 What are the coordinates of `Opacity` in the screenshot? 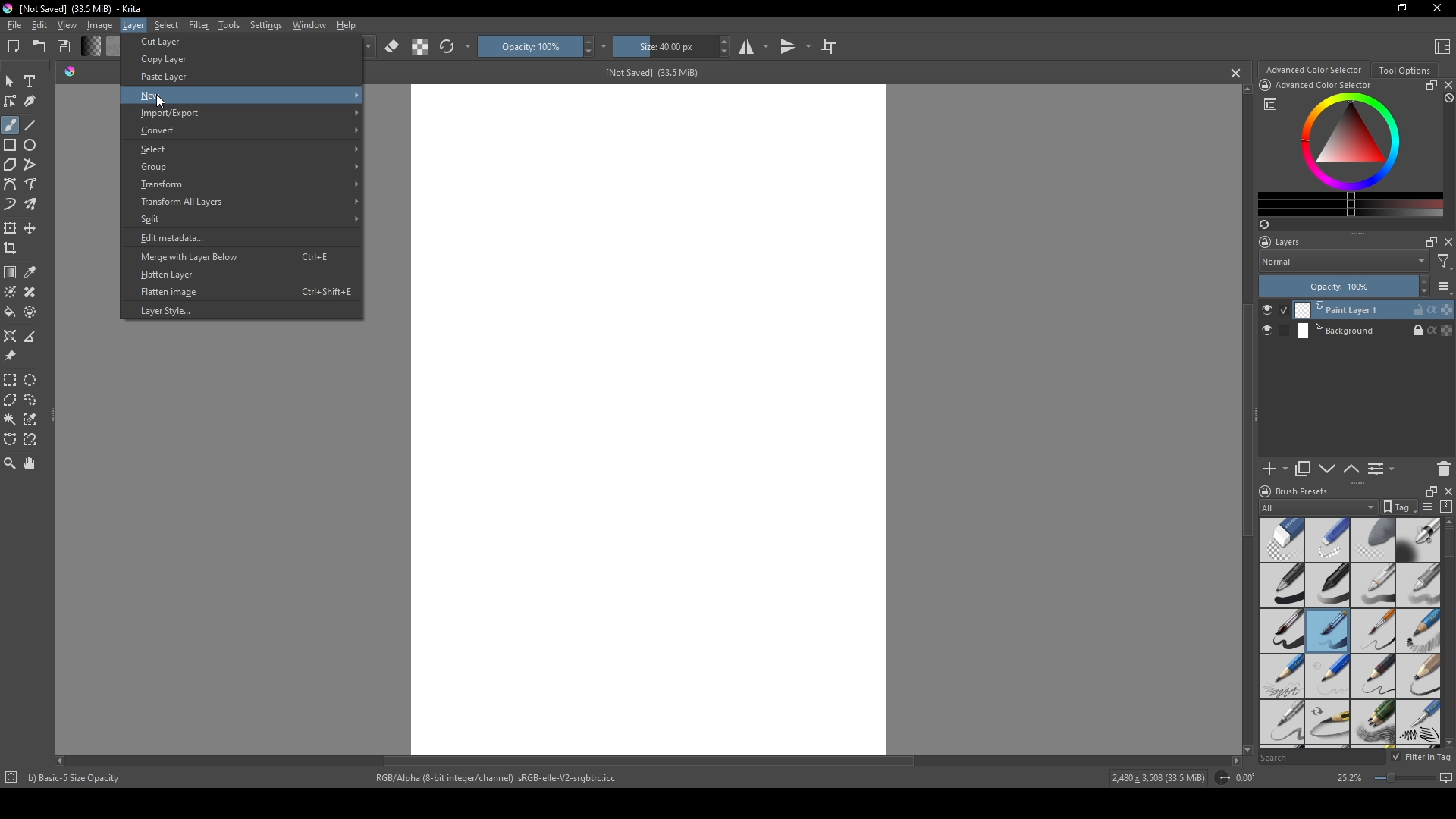 It's located at (529, 46).